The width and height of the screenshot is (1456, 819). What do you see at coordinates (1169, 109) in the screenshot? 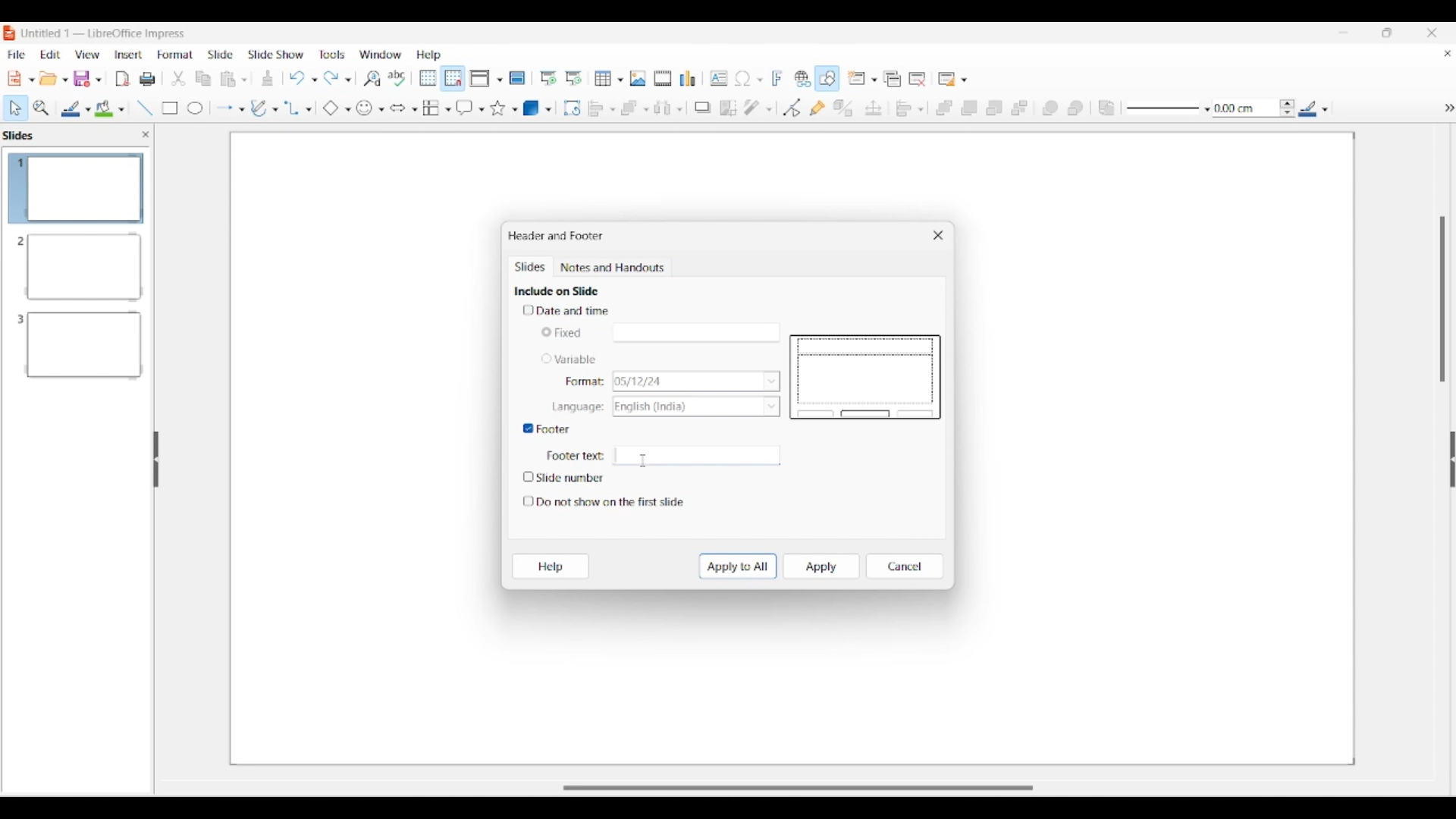
I see `Line style options` at bounding box center [1169, 109].